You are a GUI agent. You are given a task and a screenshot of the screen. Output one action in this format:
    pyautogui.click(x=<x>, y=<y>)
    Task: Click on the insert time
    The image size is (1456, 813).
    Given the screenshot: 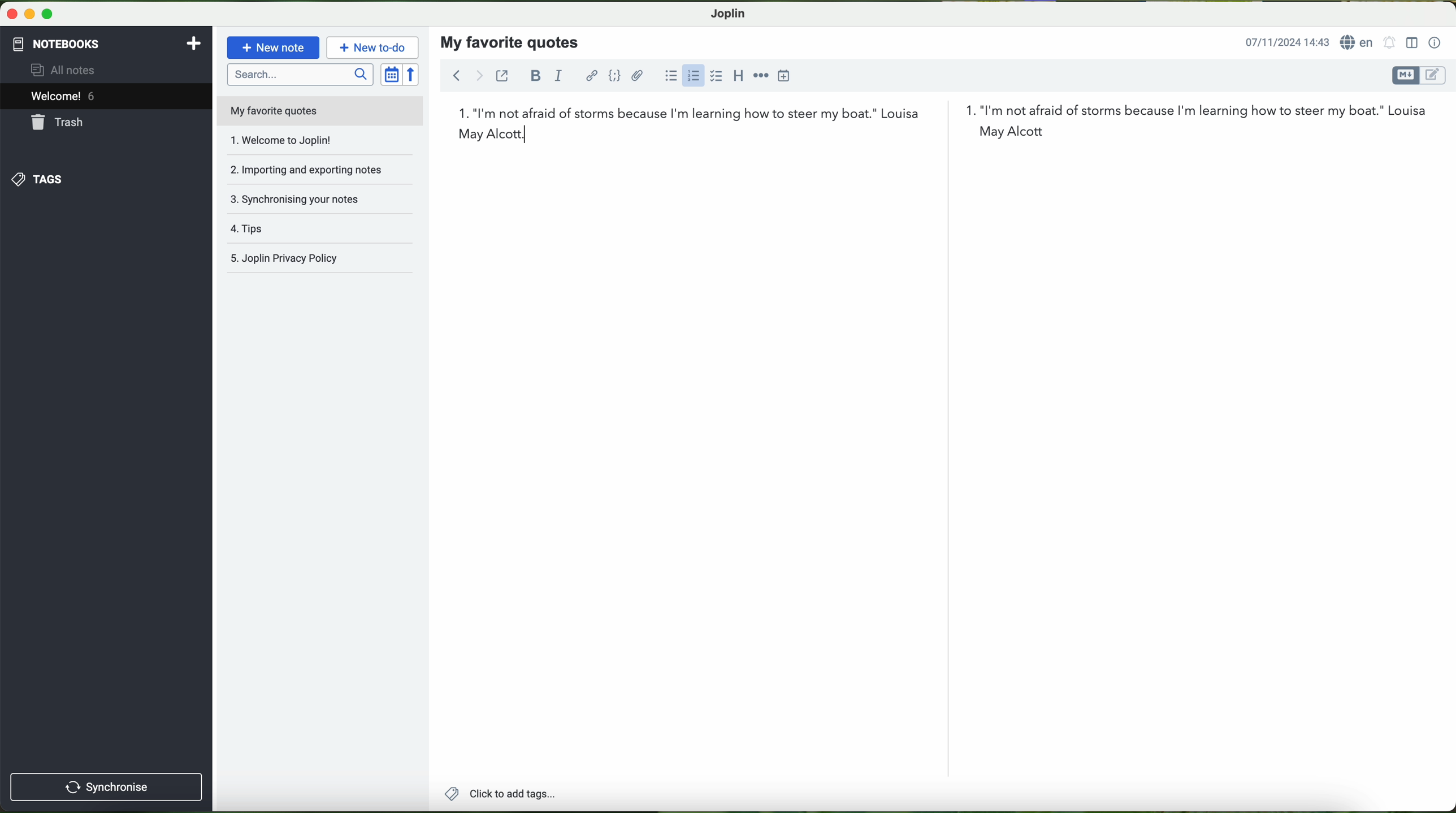 What is the action you would take?
    pyautogui.click(x=787, y=75)
    